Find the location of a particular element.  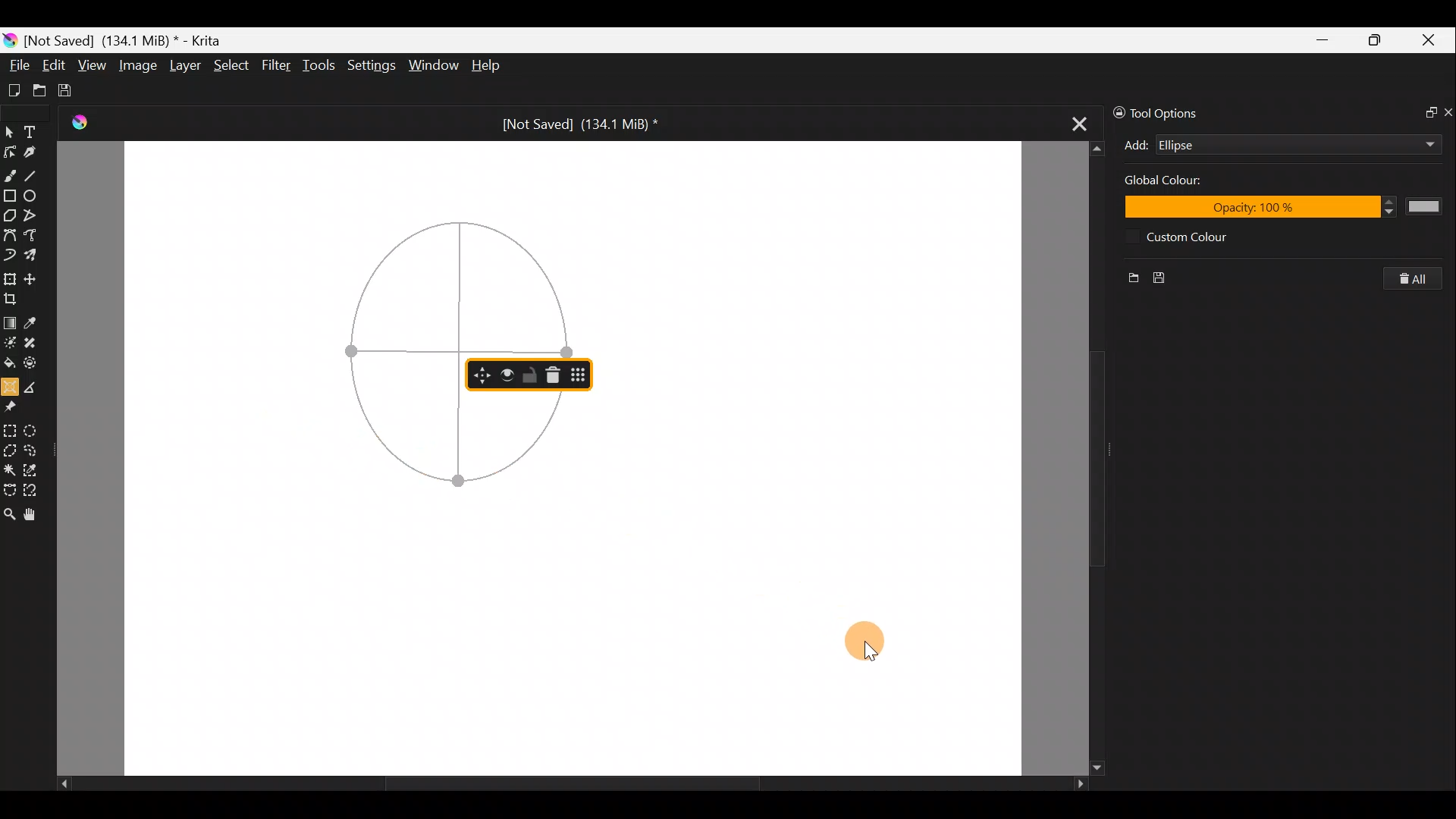

Create new document is located at coordinates (13, 89).